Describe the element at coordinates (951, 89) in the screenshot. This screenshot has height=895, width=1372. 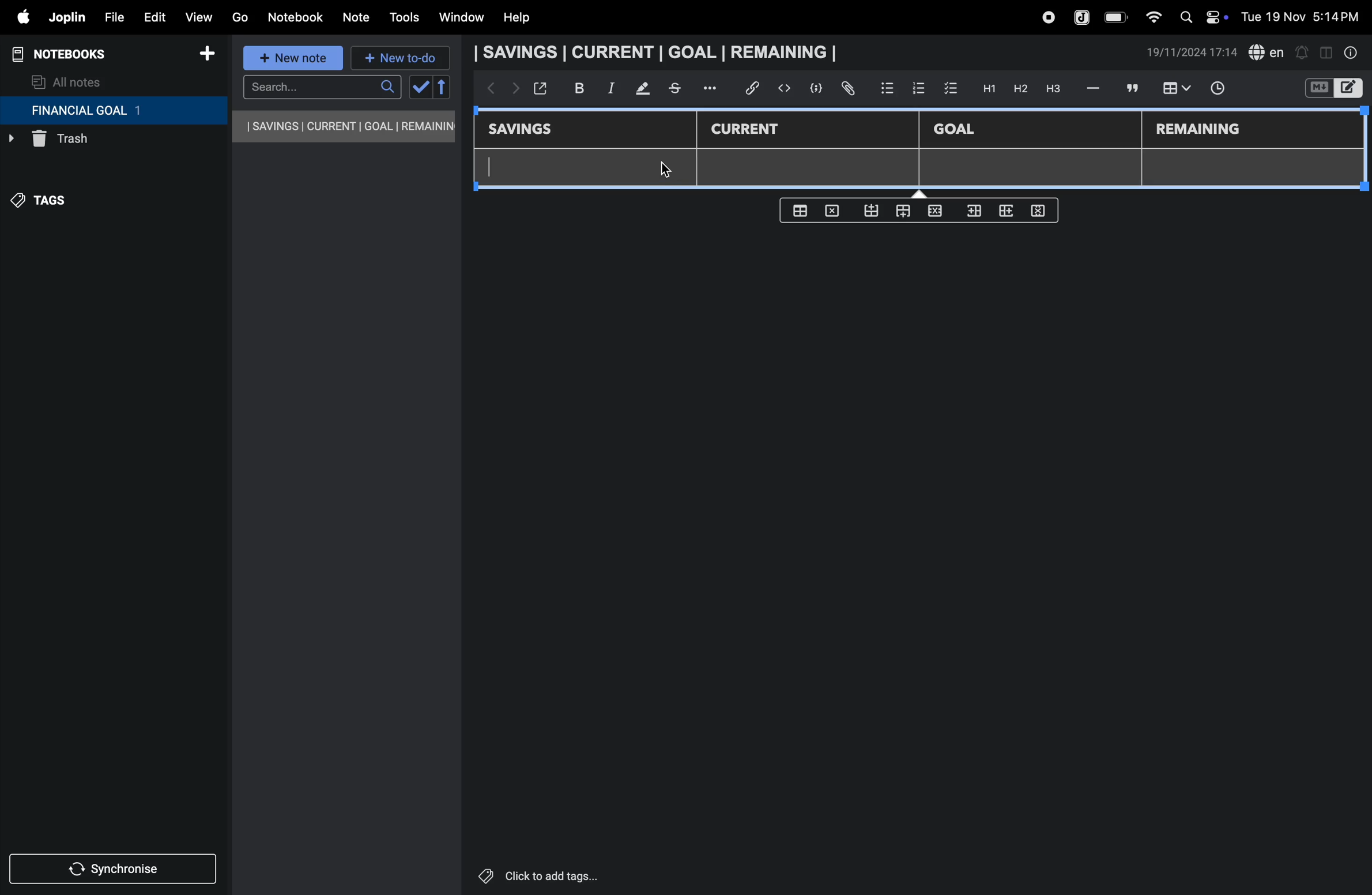
I see `check box` at that location.